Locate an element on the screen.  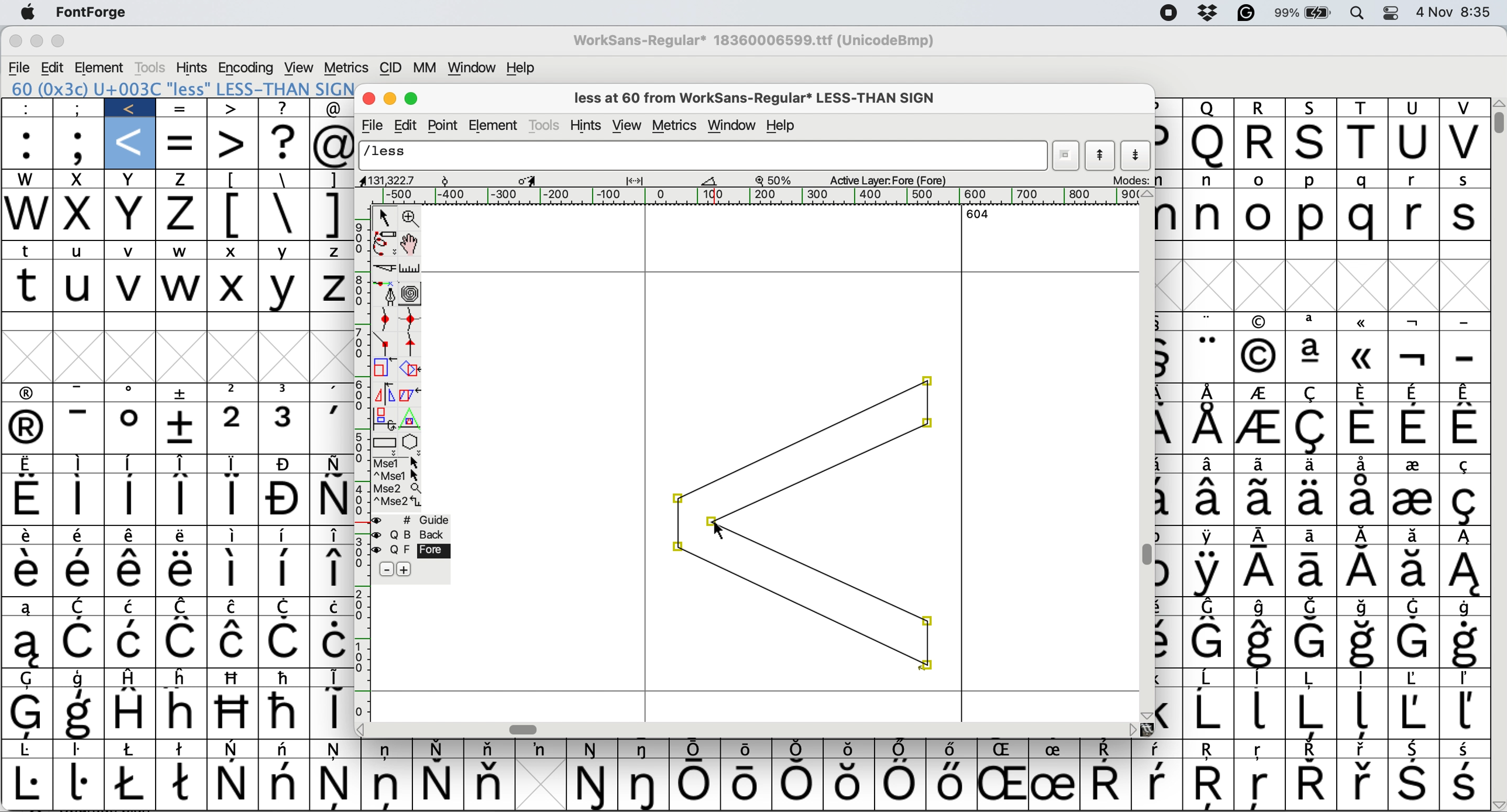
p is located at coordinates (1169, 144).